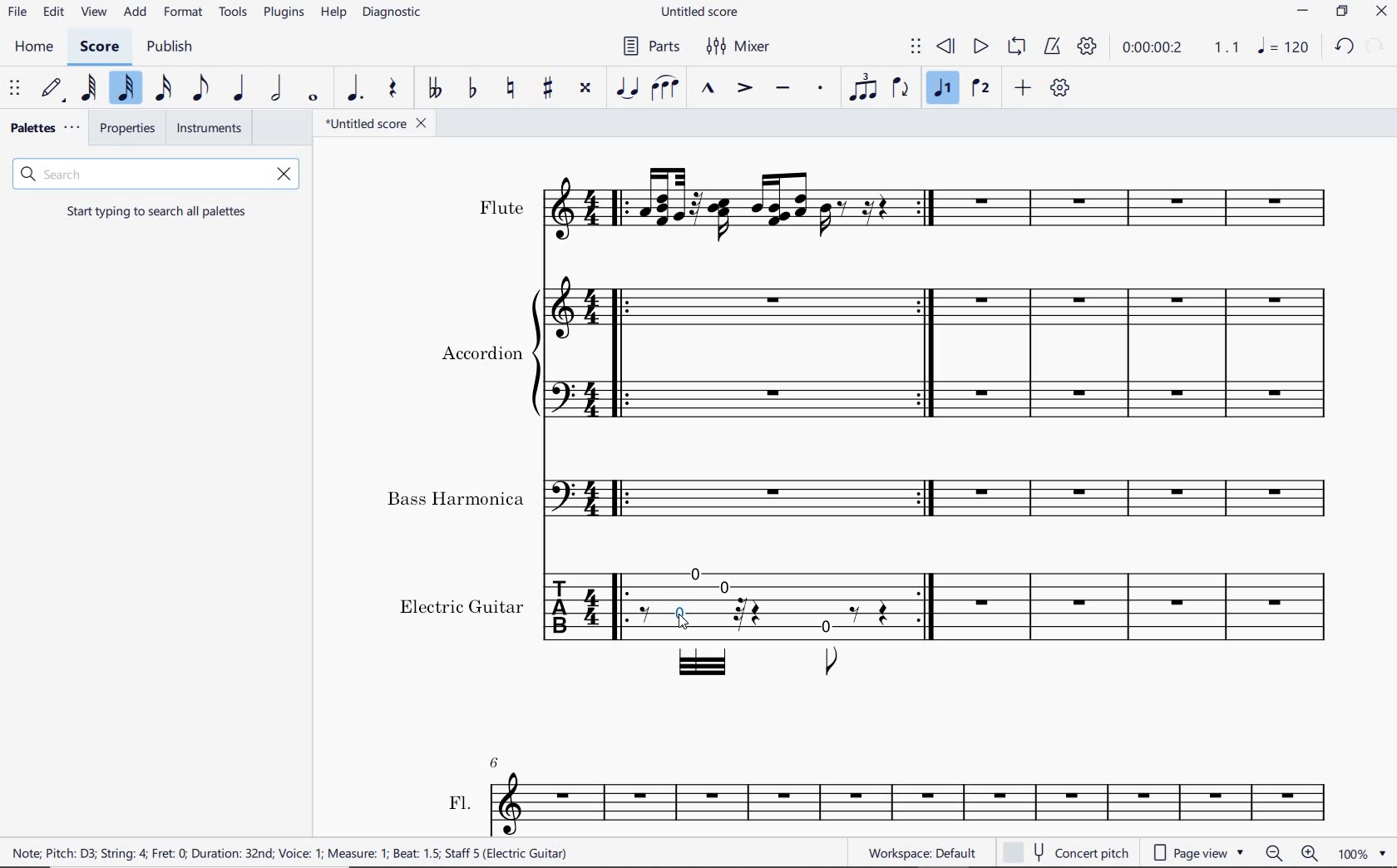 This screenshot has width=1397, height=868. Describe the element at coordinates (471, 89) in the screenshot. I see `toggle flat` at that location.